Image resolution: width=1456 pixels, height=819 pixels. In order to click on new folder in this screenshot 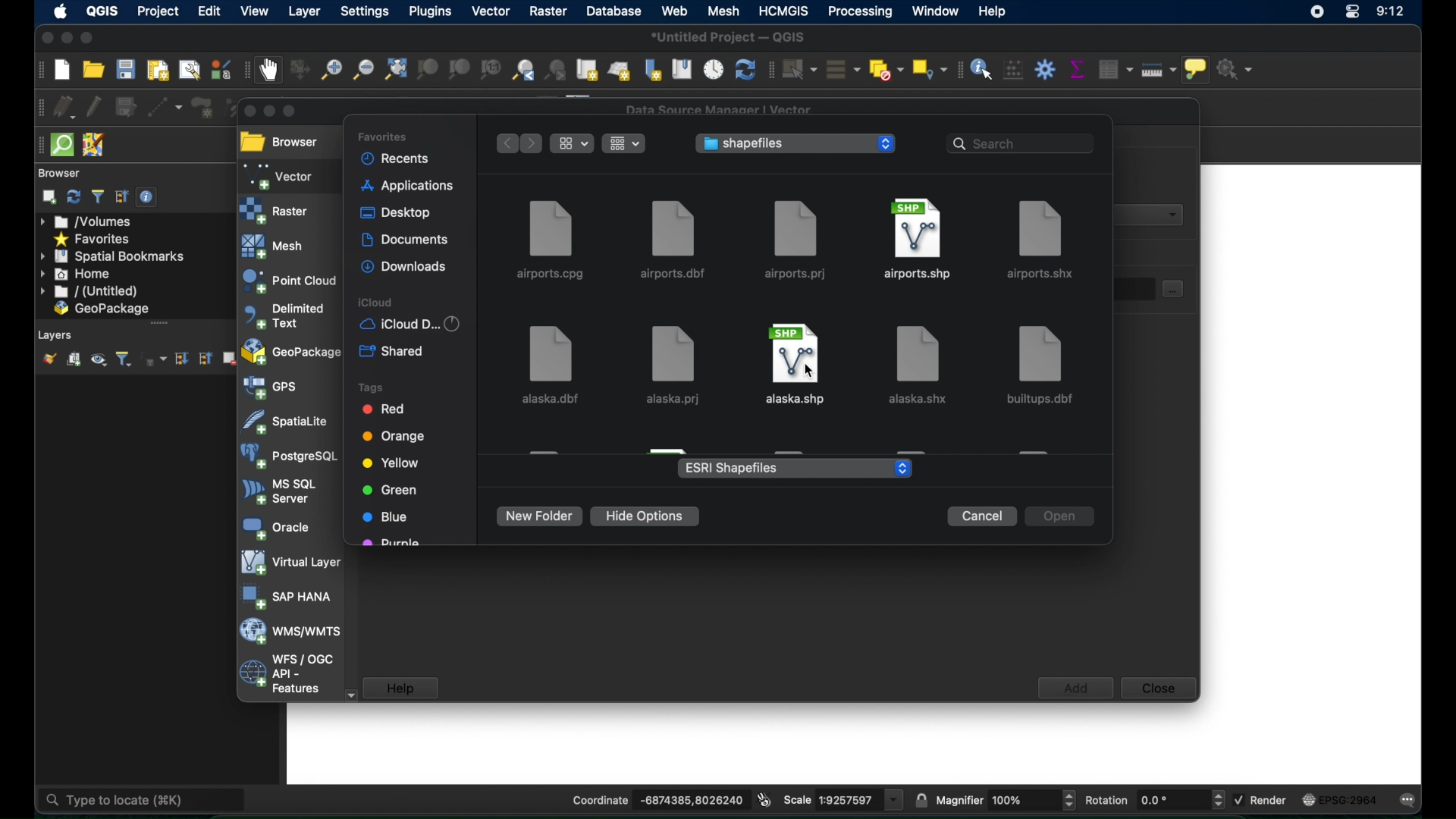, I will do `click(539, 516)`.